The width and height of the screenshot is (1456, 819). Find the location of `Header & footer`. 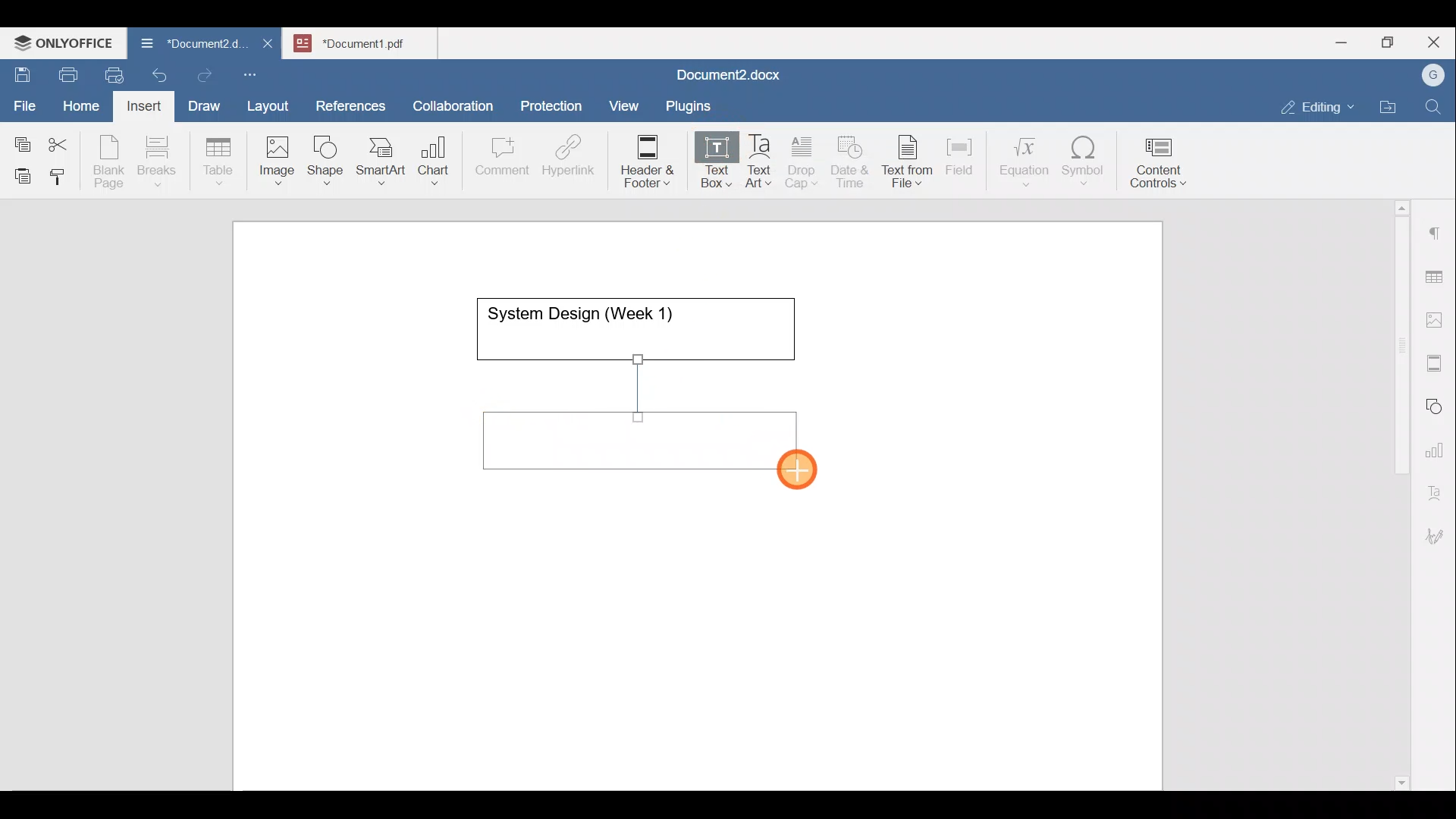

Header & footer is located at coordinates (642, 160).